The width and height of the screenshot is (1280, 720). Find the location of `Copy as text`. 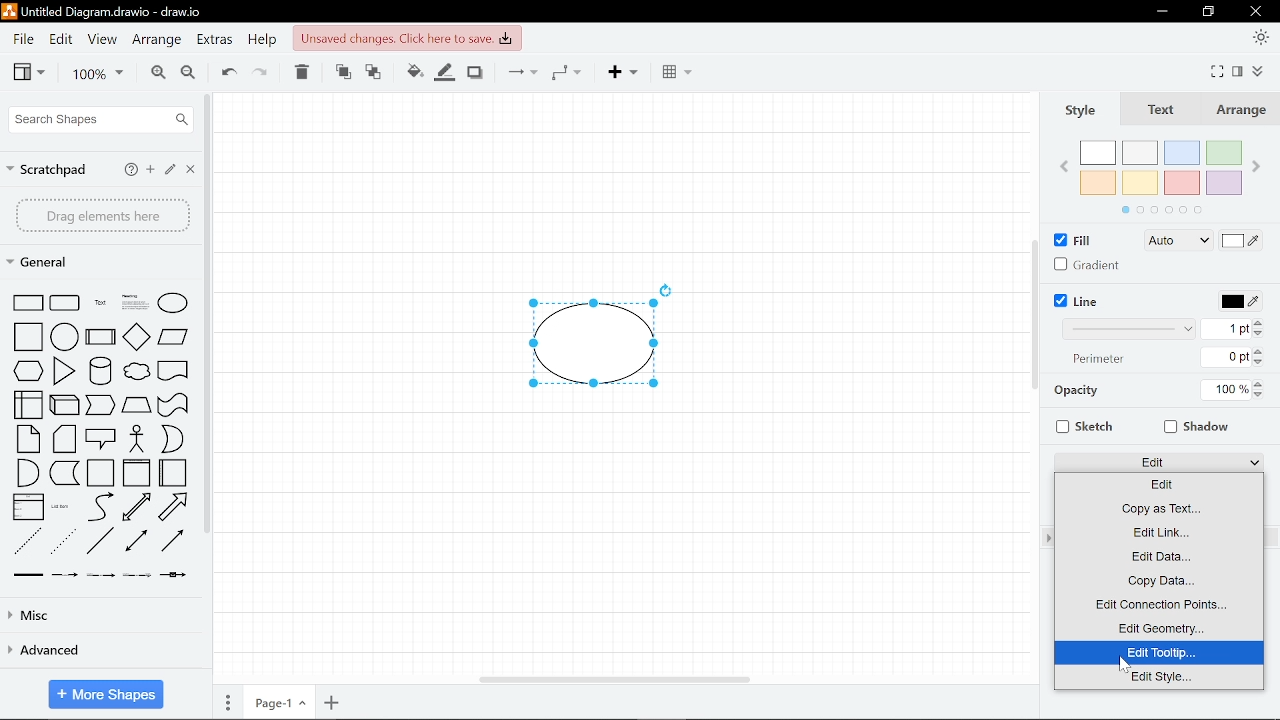

Copy as text is located at coordinates (1157, 508).